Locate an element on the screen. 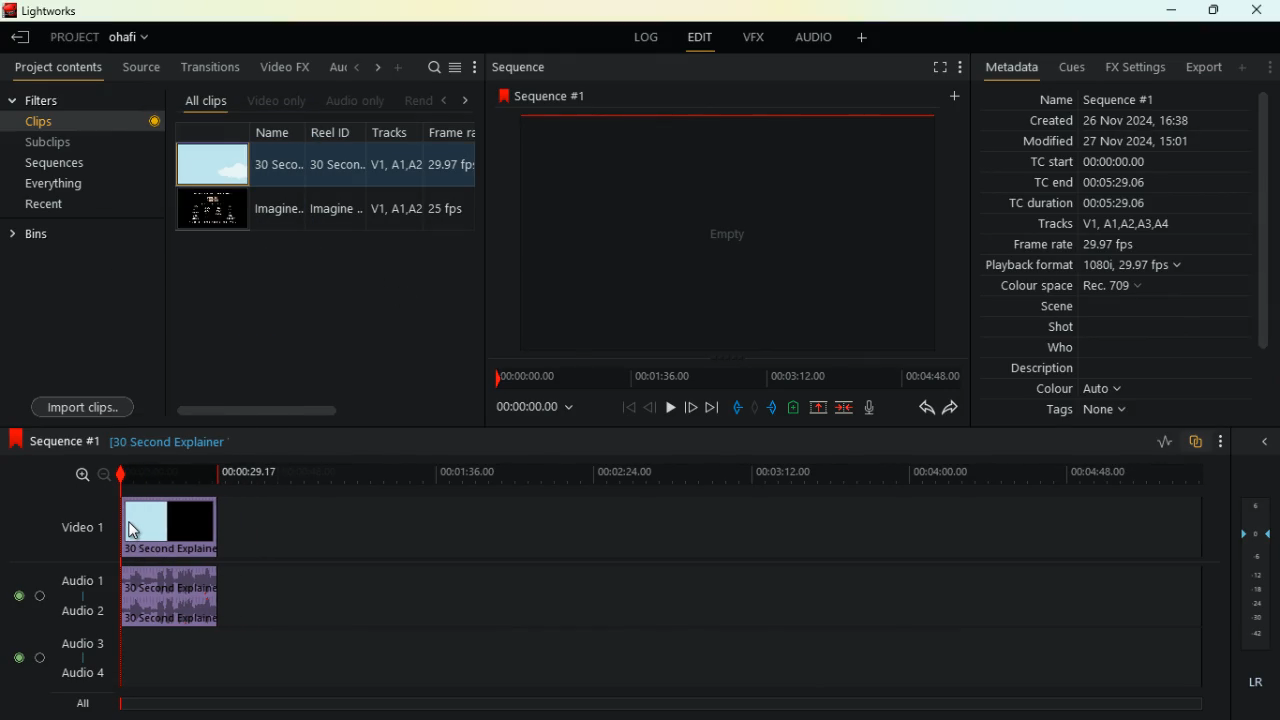  tracks is located at coordinates (1113, 225).